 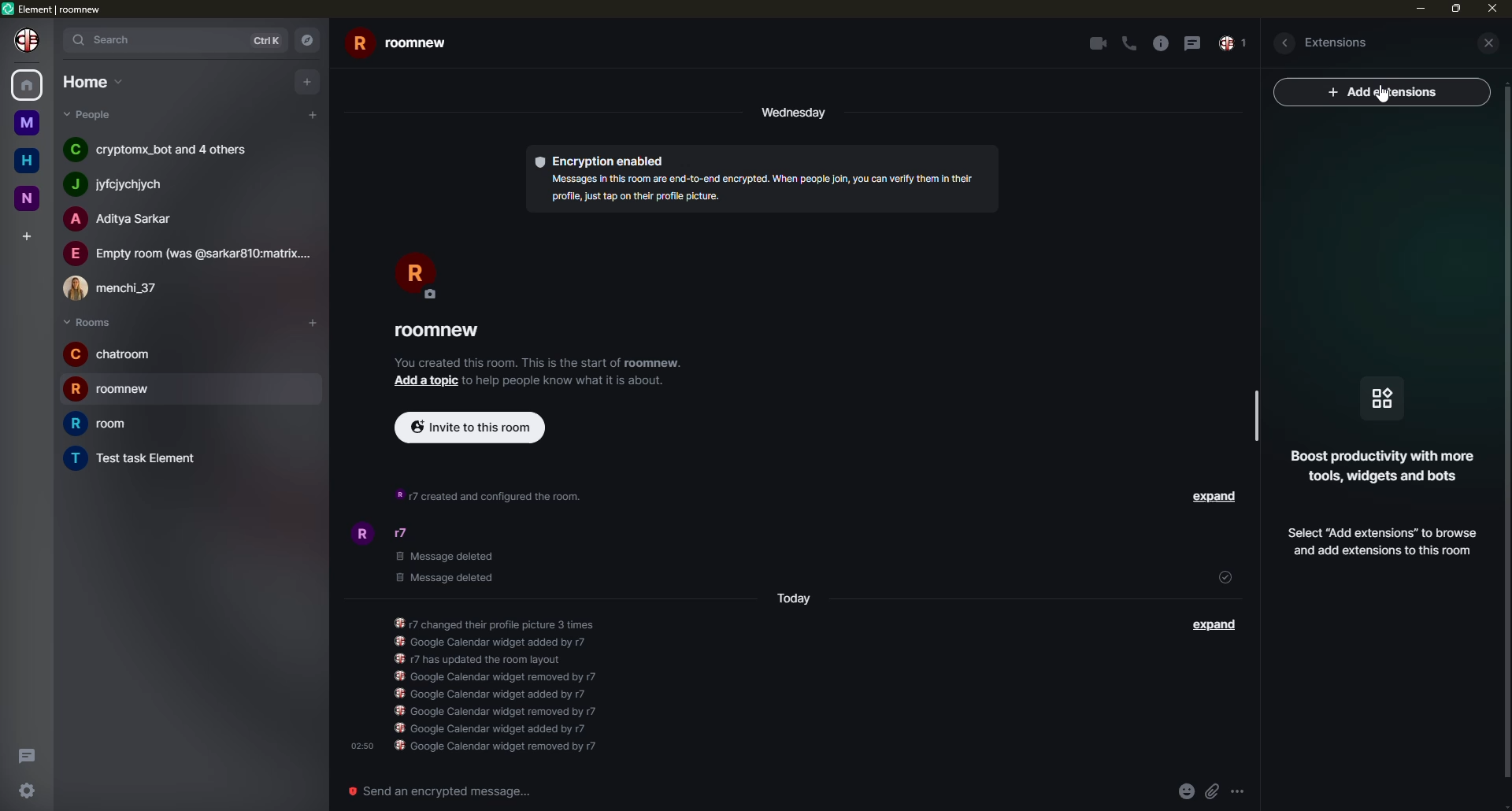 What do you see at coordinates (161, 150) in the screenshot?
I see `people` at bounding box center [161, 150].